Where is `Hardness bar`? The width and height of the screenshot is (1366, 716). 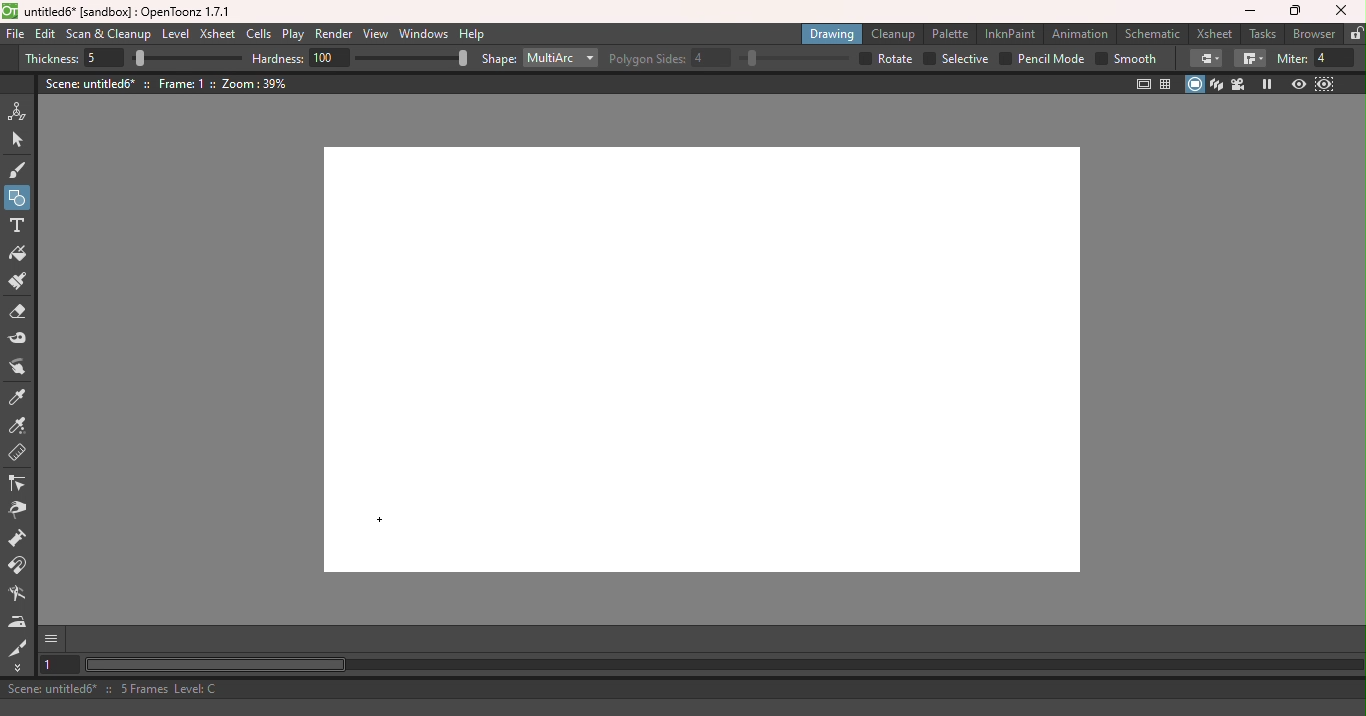 Hardness bar is located at coordinates (412, 58).